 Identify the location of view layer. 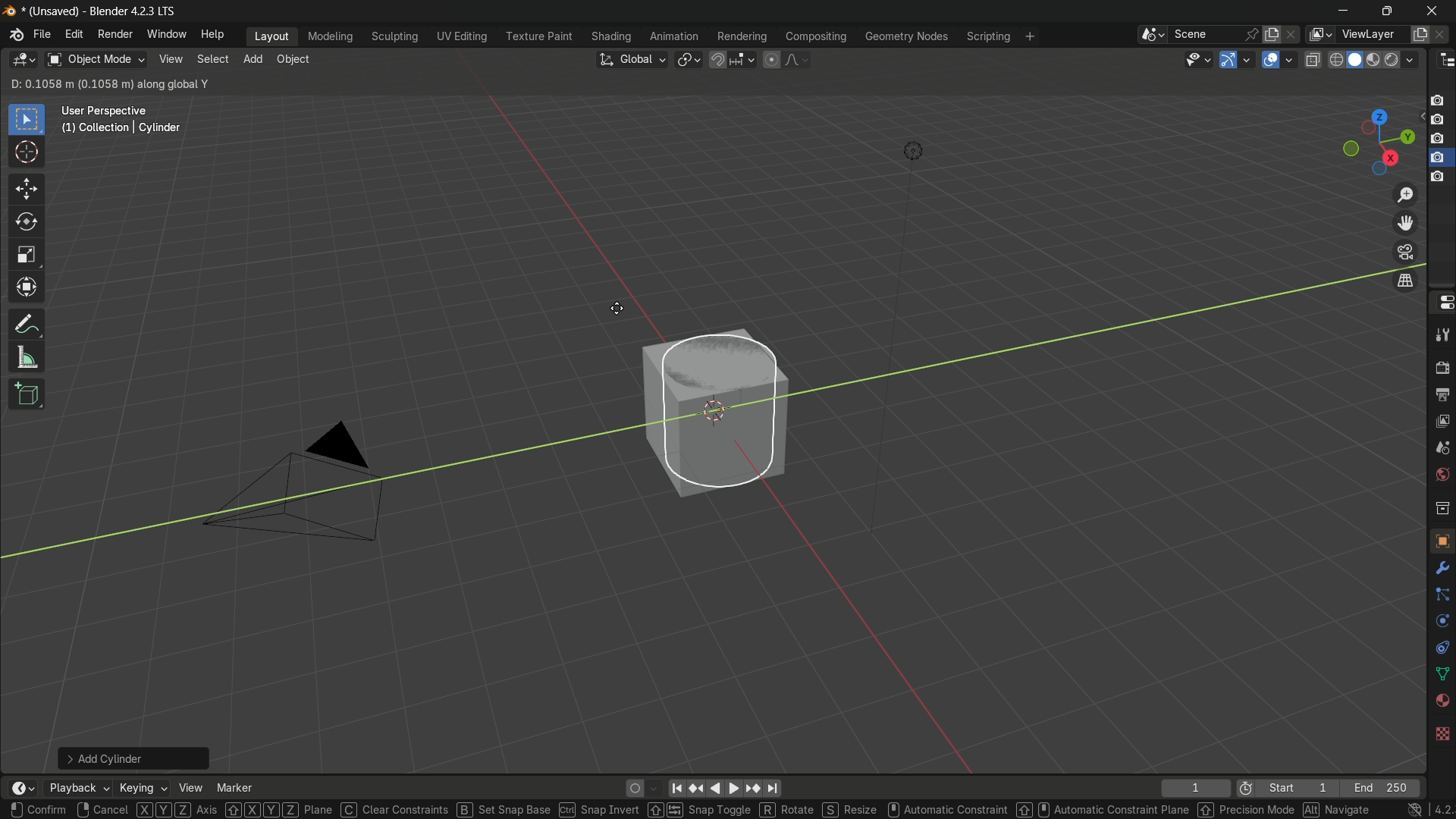
(1318, 34).